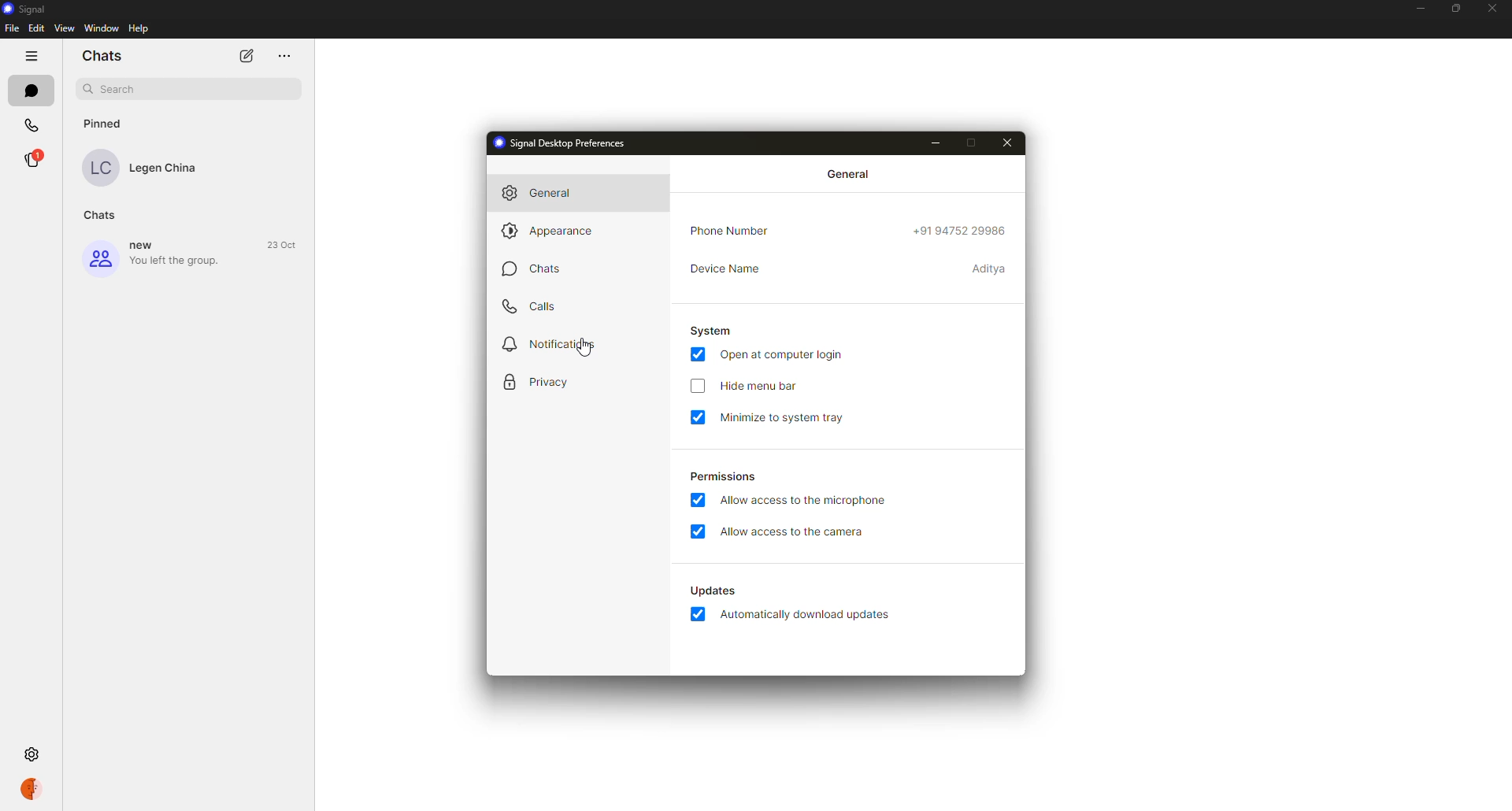 This screenshot has height=811, width=1512. Describe the element at coordinates (537, 194) in the screenshot. I see `general` at that location.